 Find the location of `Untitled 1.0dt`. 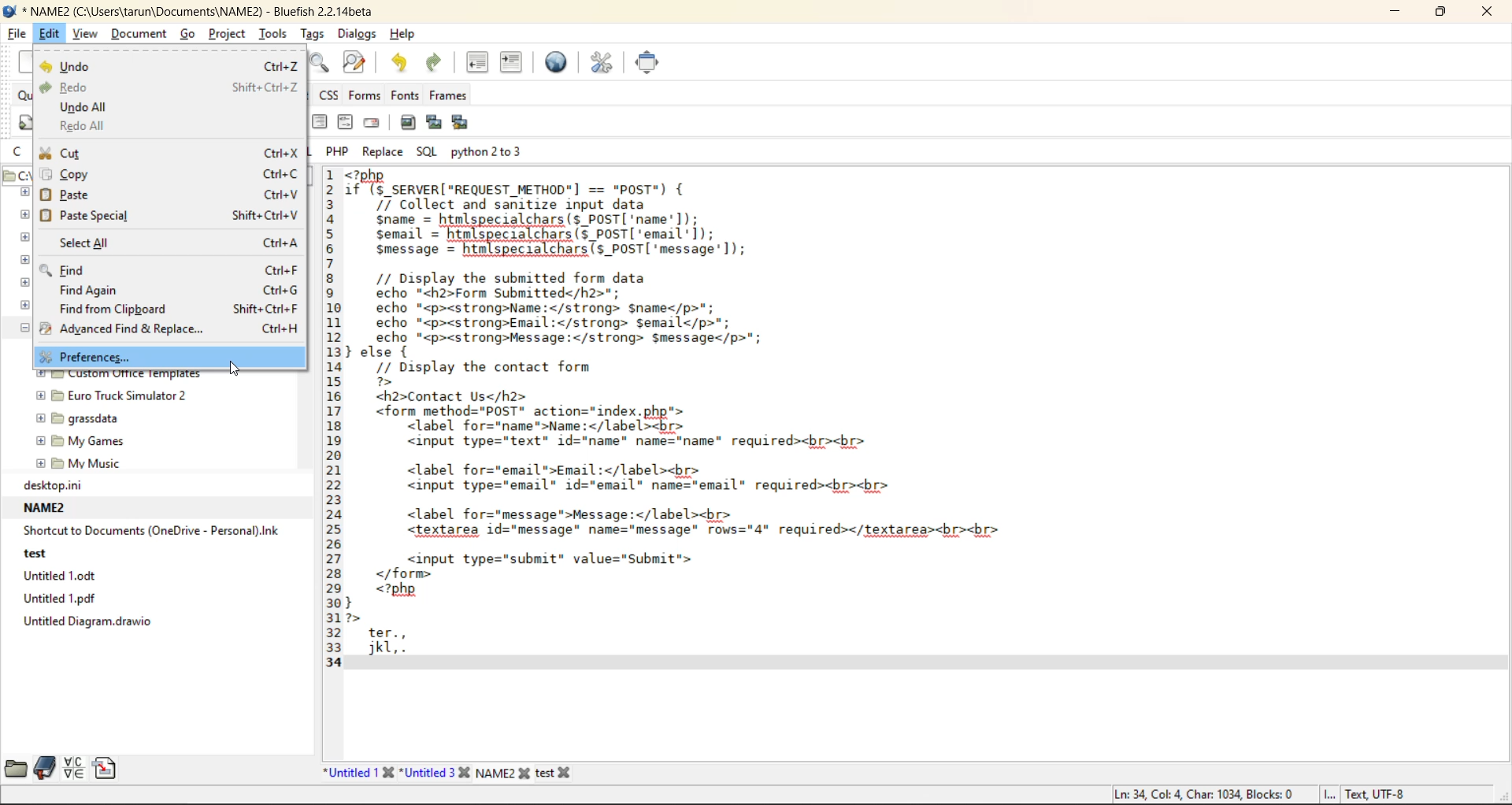

Untitled 1.0dt is located at coordinates (58, 576).